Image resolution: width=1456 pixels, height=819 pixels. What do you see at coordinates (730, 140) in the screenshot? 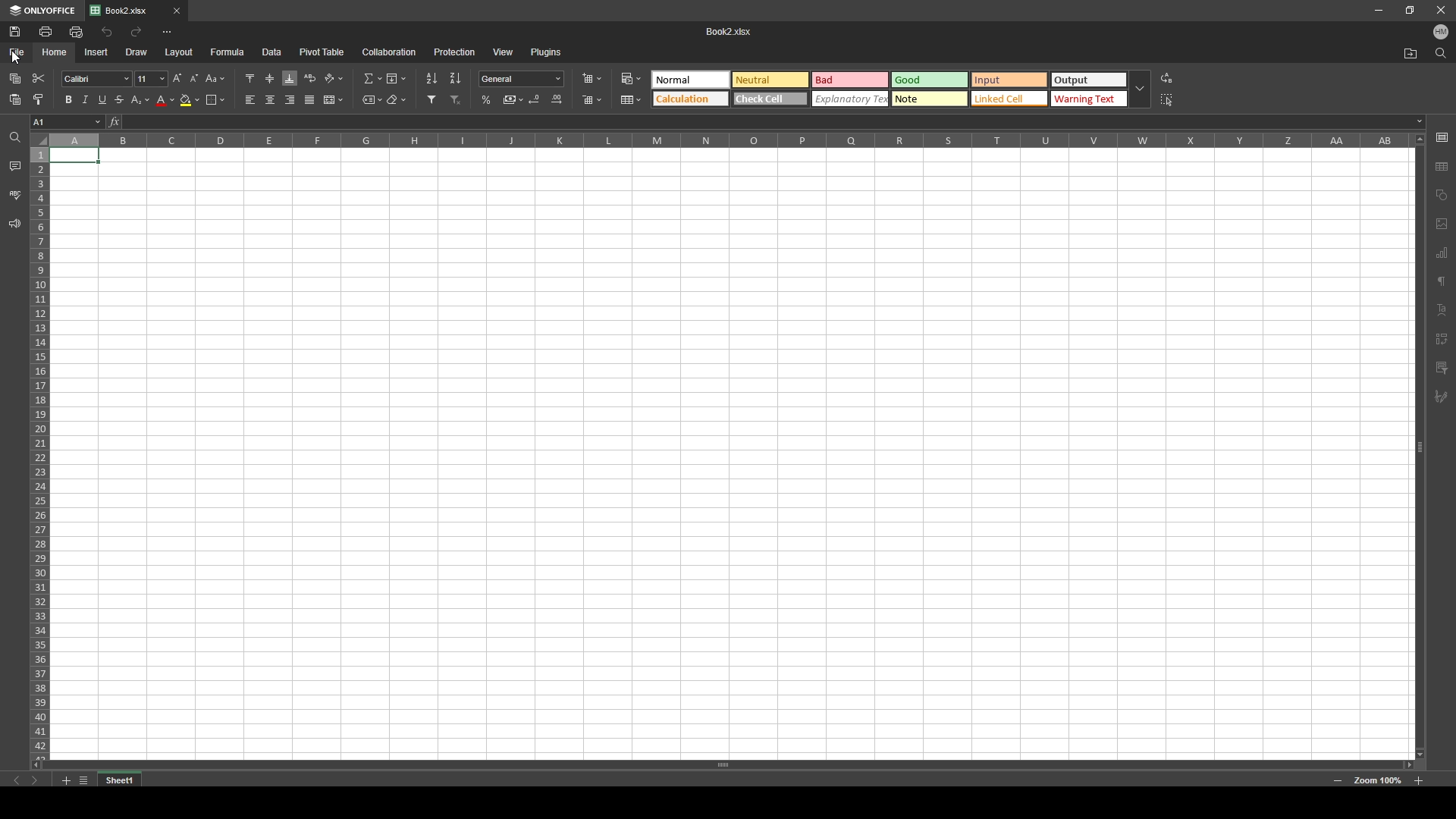
I see `columns` at bounding box center [730, 140].